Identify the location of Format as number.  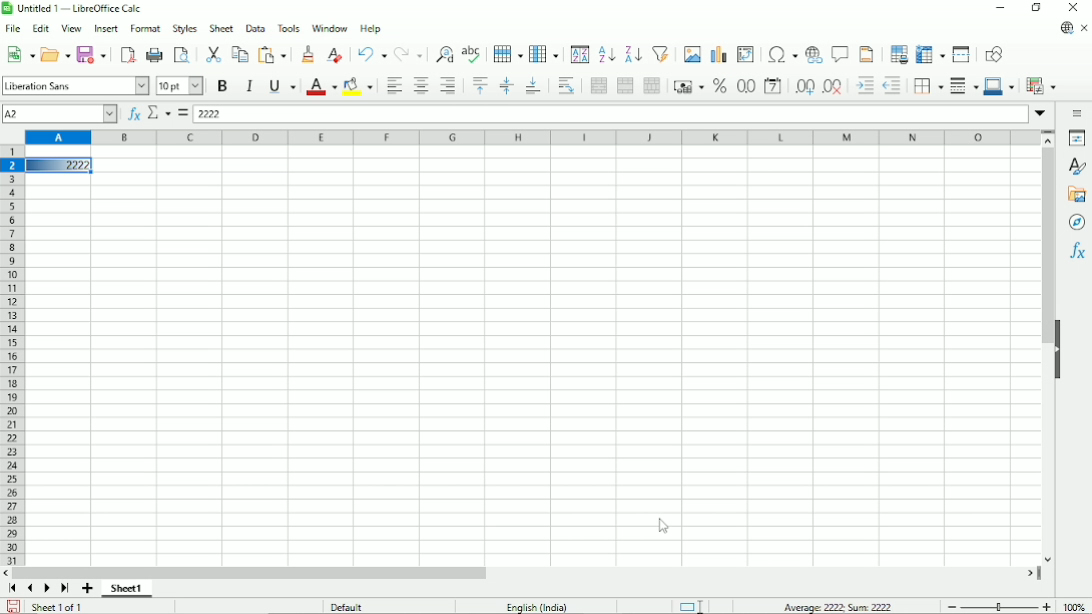
(745, 87).